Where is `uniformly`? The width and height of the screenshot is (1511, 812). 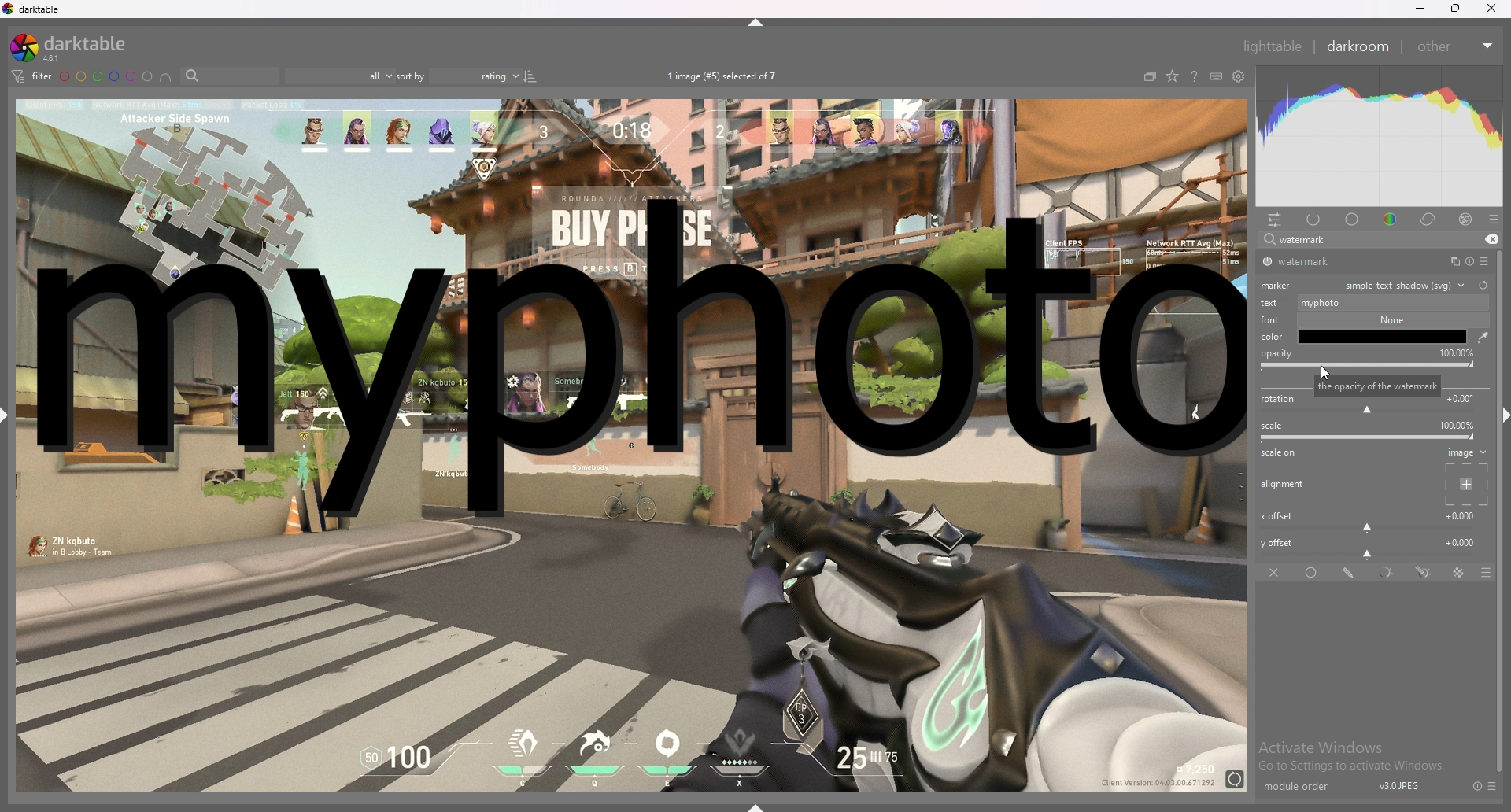 uniformly is located at coordinates (1313, 573).